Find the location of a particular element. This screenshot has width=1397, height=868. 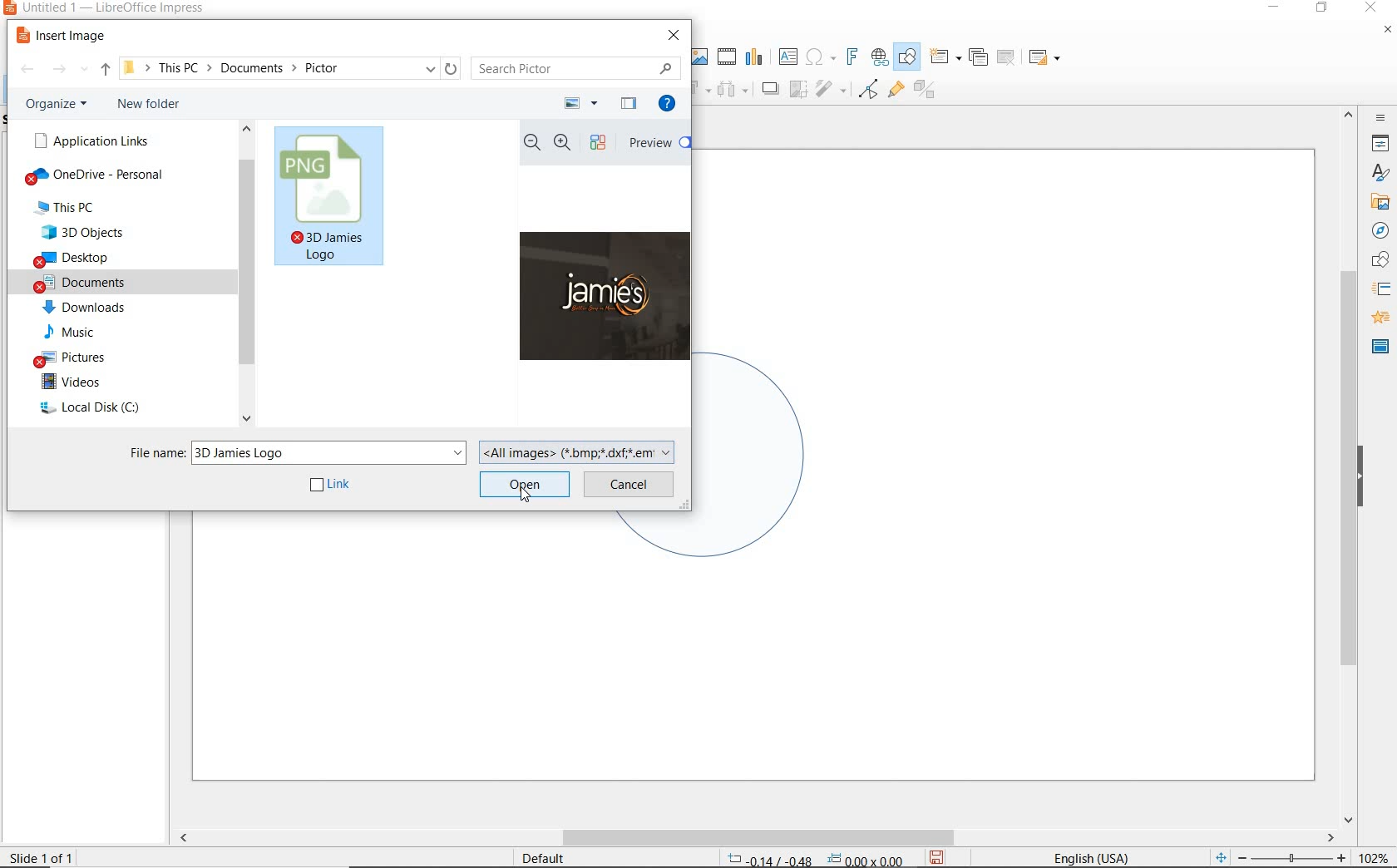

insert image is located at coordinates (698, 57).